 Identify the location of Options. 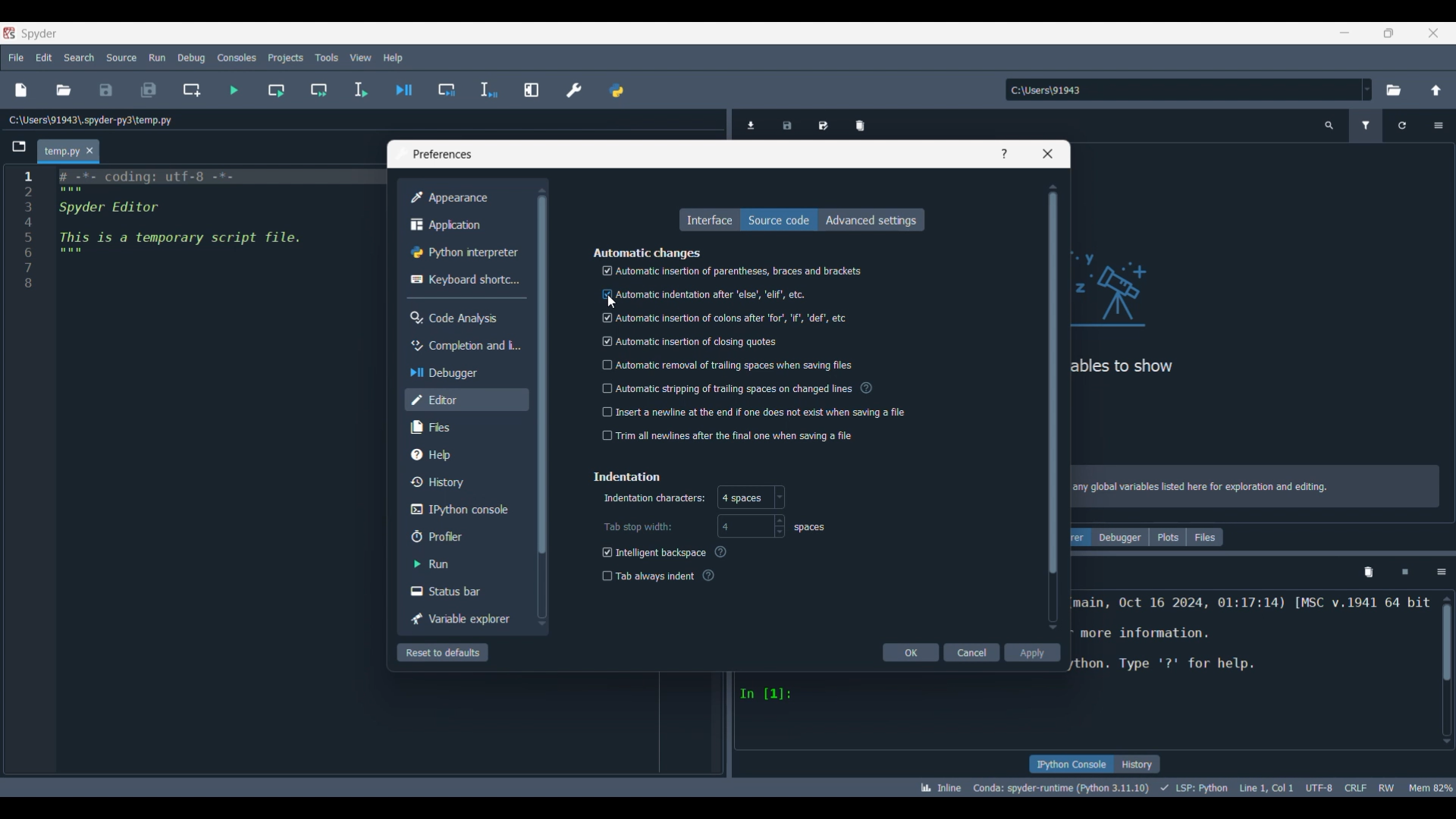
(1442, 573).